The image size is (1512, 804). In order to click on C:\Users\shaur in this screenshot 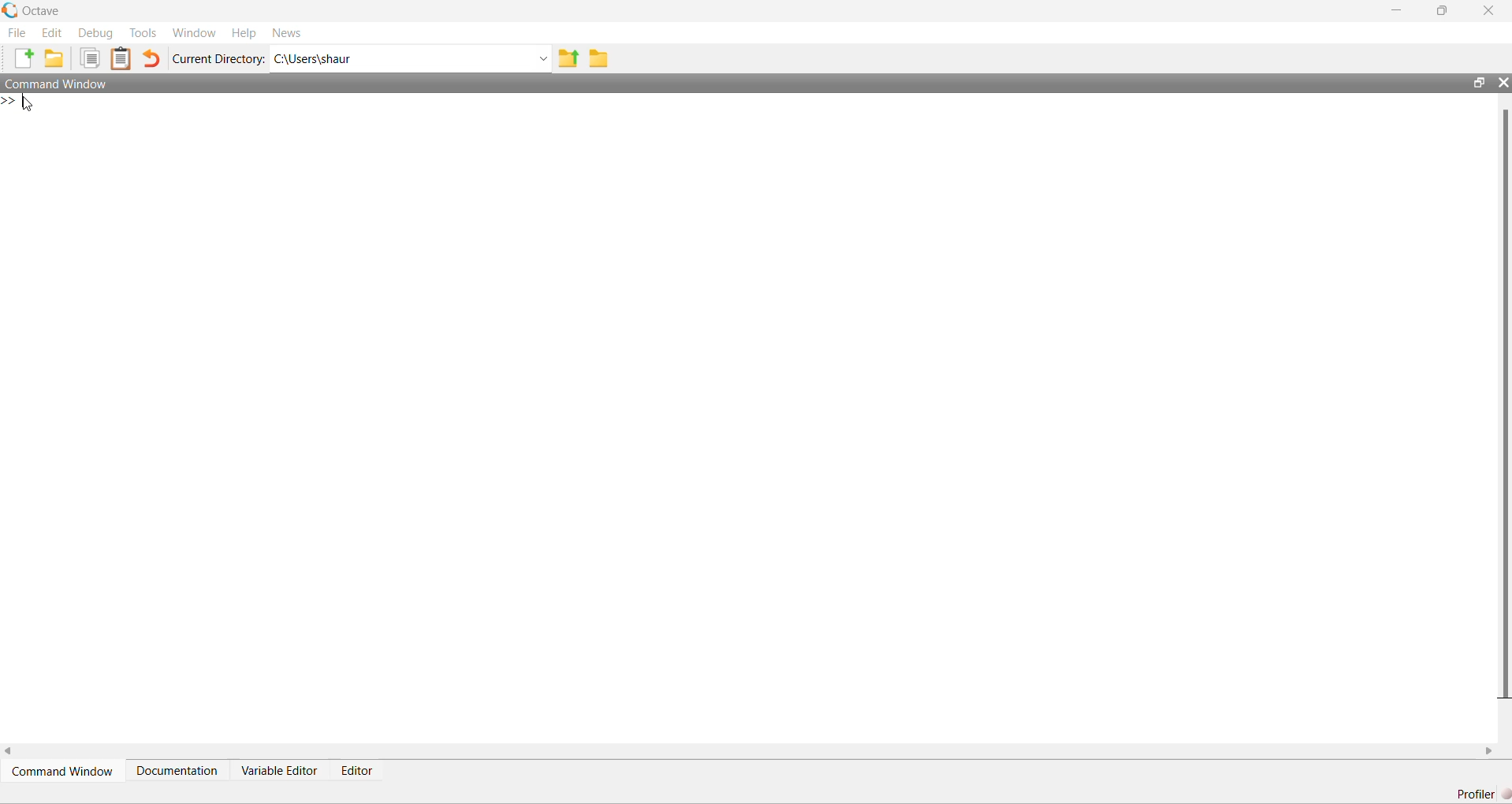, I will do `click(314, 60)`.